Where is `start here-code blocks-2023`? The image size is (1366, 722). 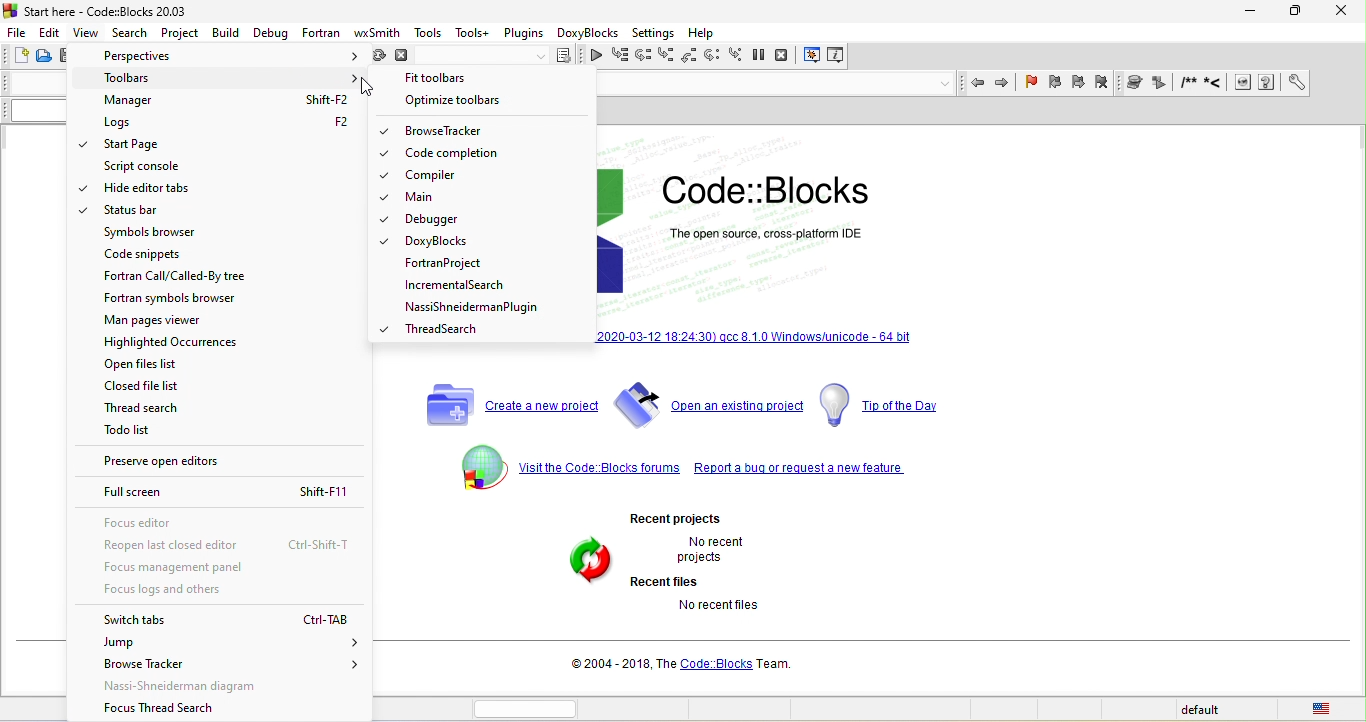
start here-code blocks-2023 is located at coordinates (117, 11).